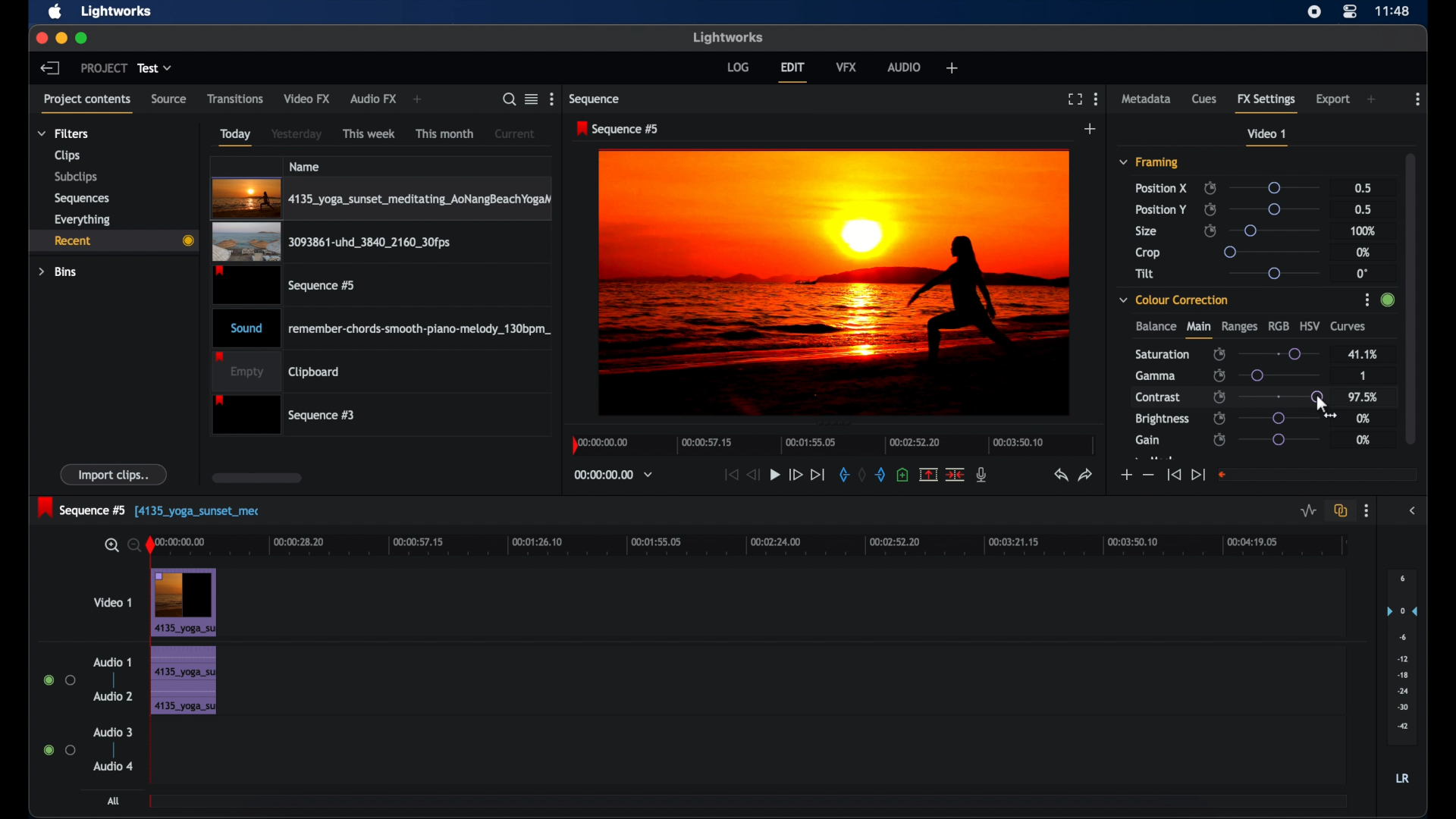 The width and height of the screenshot is (1456, 819). What do you see at coordinates (1310, 325) in the screenshot?
I see `hsv` at bounding box center [1310, 325].